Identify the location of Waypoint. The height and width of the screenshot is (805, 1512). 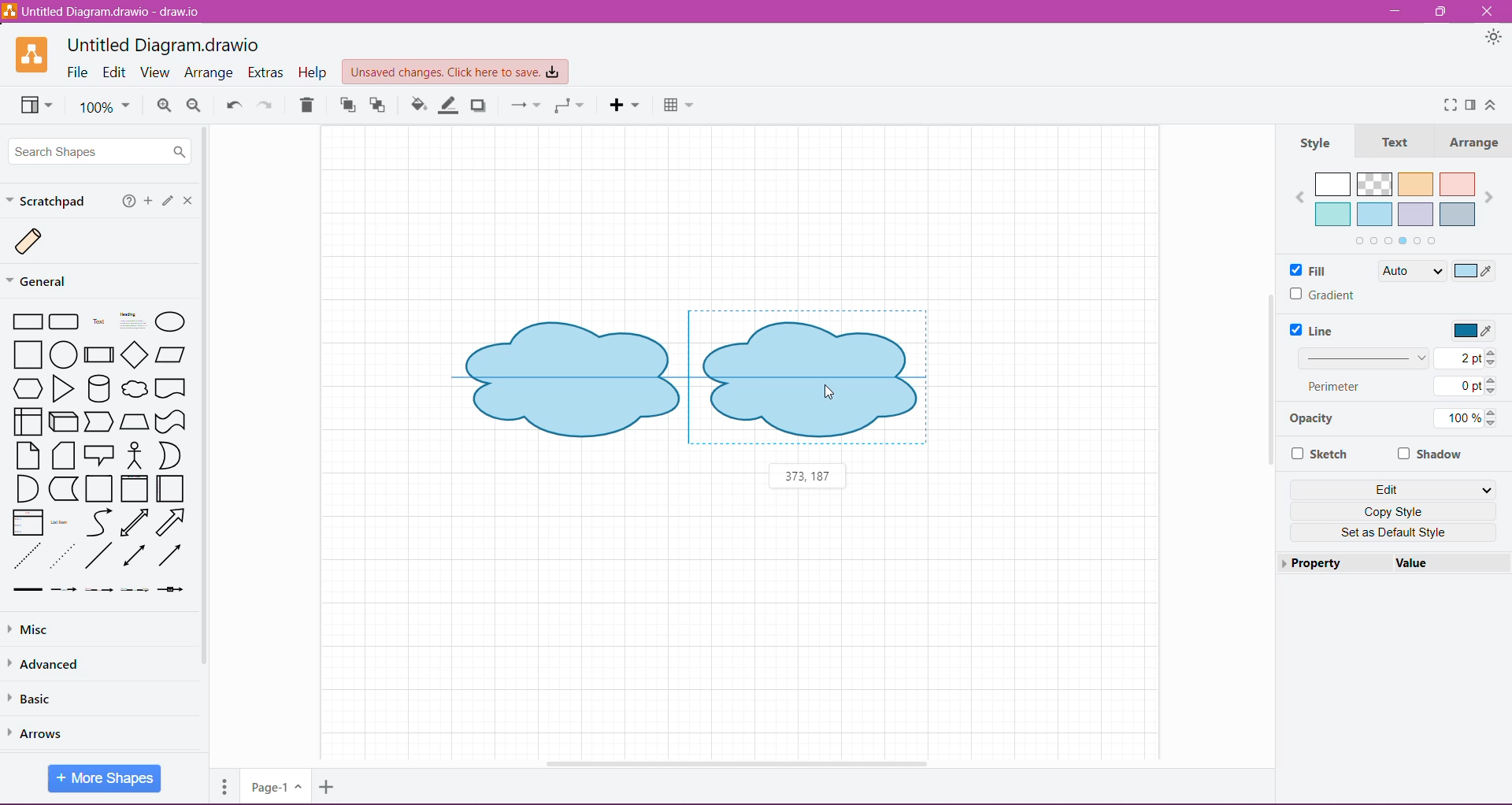
(569, 106).